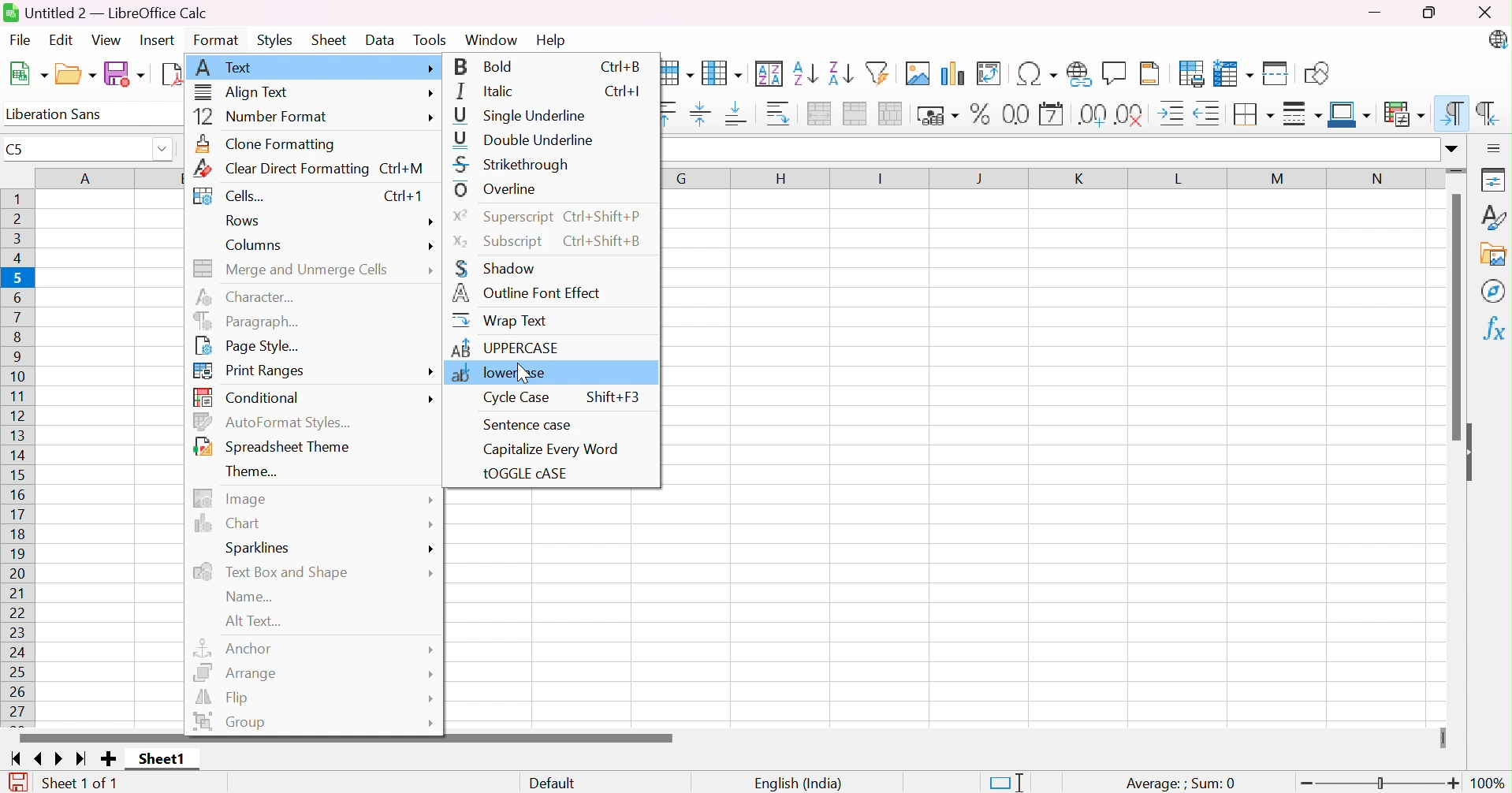 The height and width of the screenshot is (793, 1512). Describe the element at coordinates (1475, 451) in the screenshot. I see `Hide` at that location.